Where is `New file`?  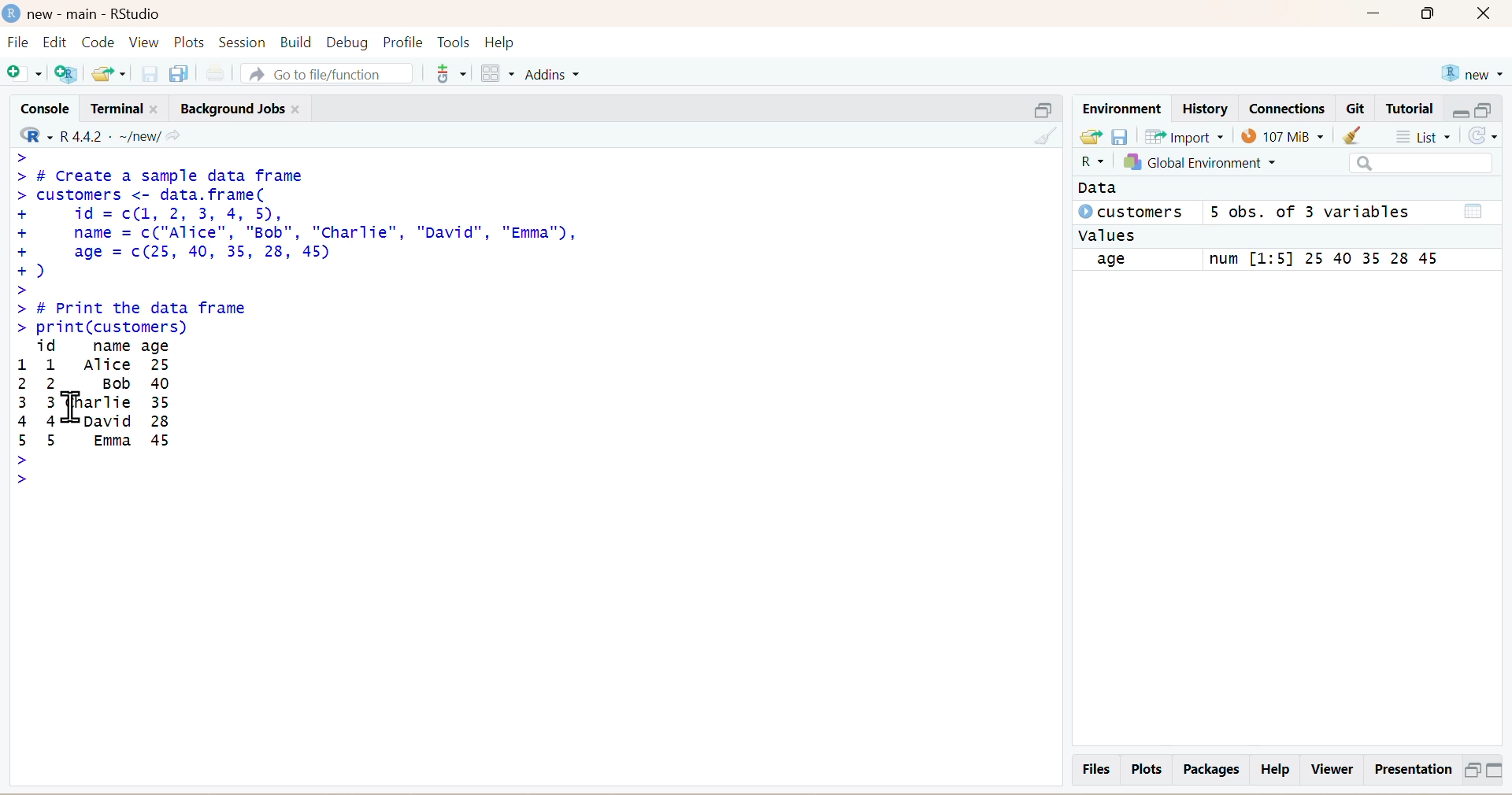 New file is located at coordinates (25, 73).